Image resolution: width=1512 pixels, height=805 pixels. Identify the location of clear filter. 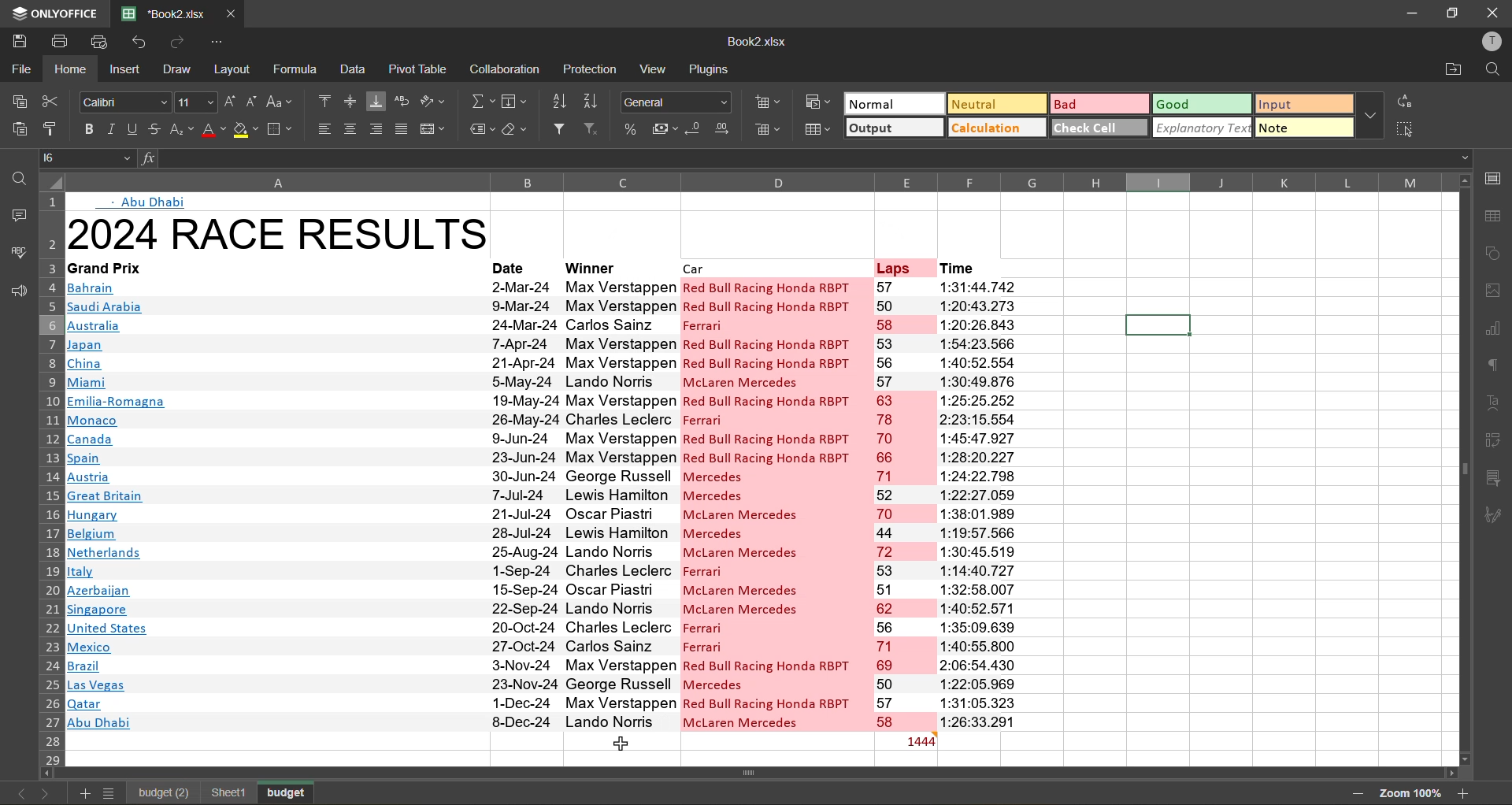
(597, 131).